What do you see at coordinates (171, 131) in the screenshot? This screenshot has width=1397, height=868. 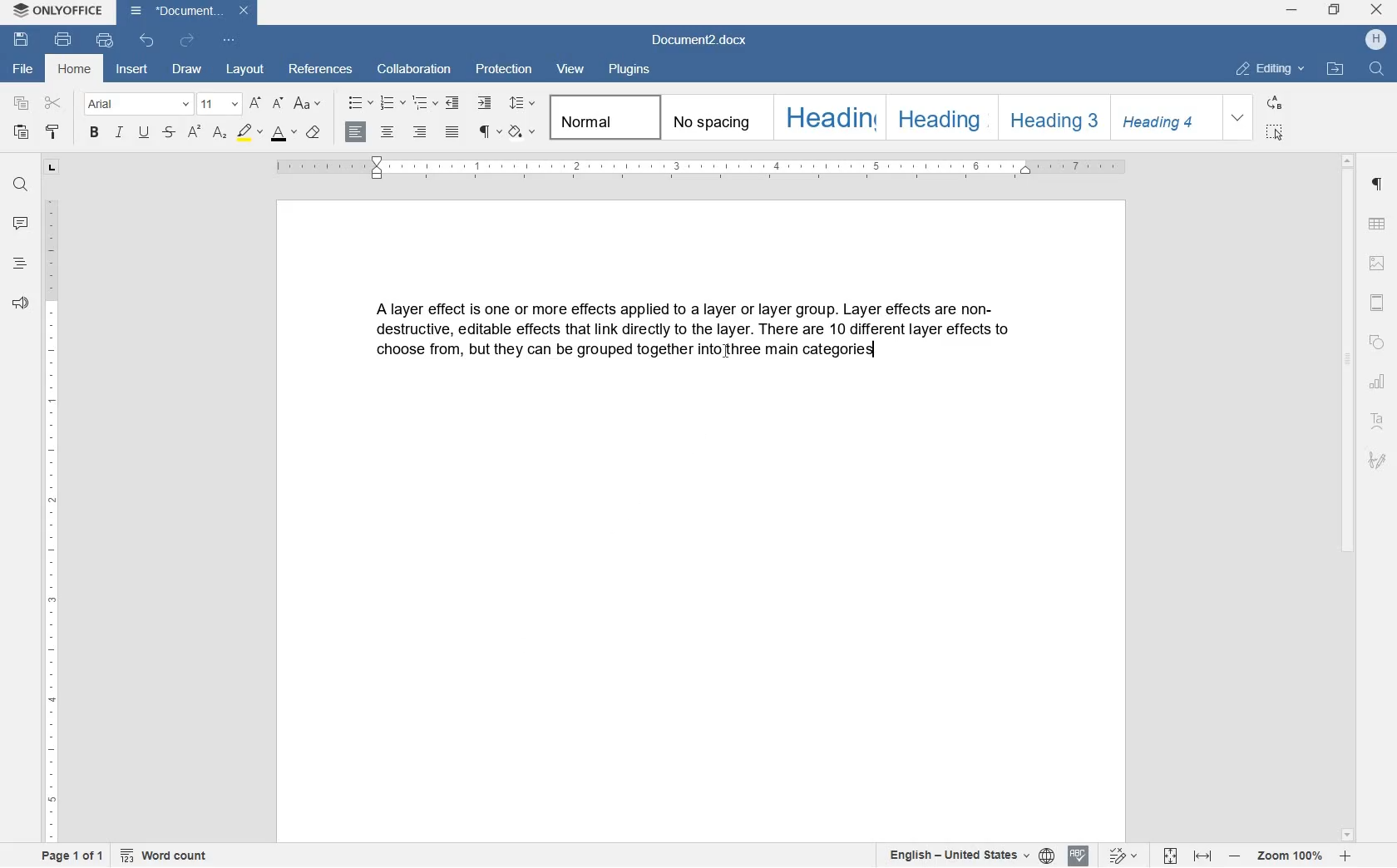 I see `strike through` at bounding box center [171, 131].